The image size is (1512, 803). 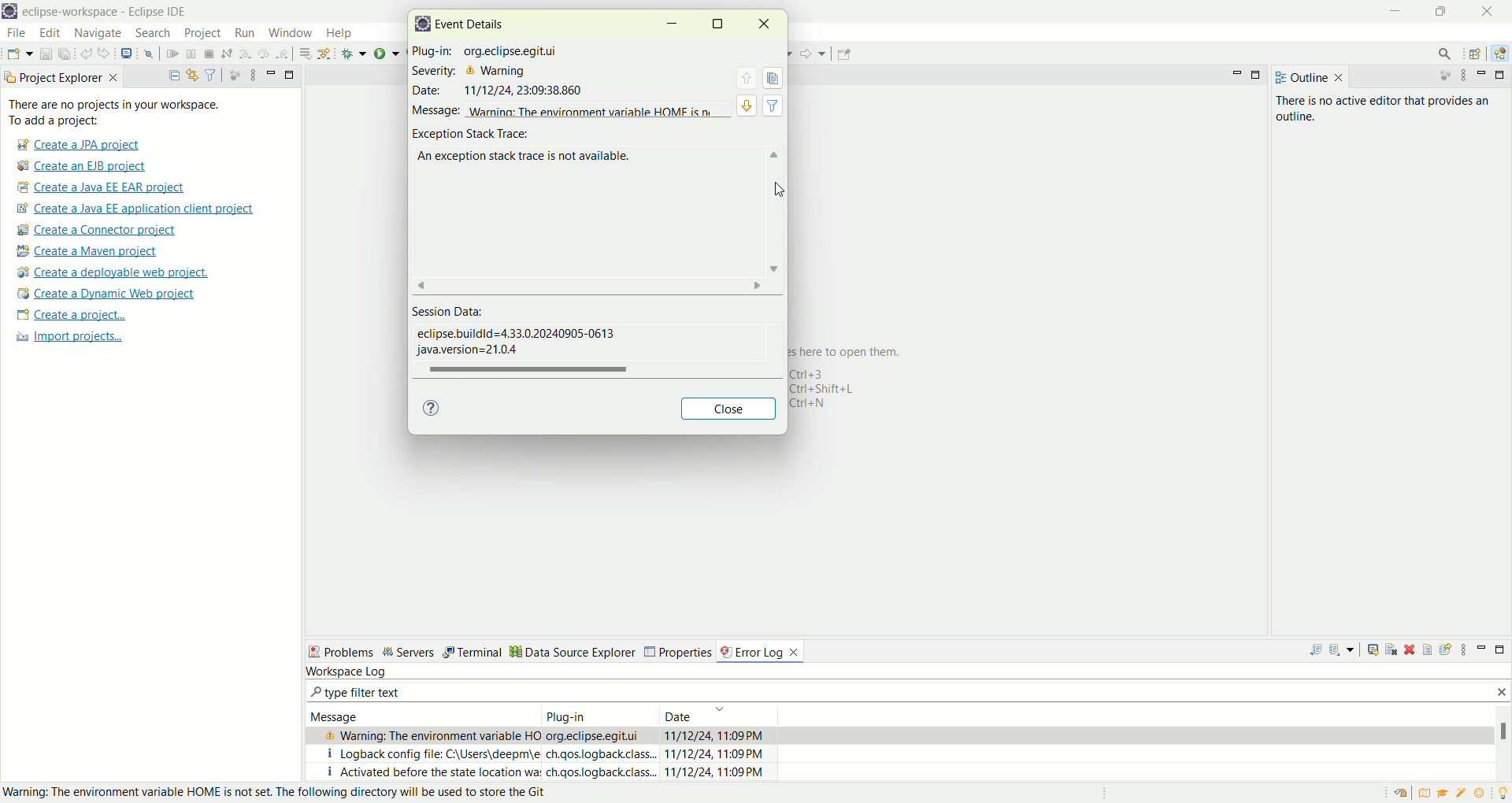 What do you see at coordinates (1500, 651) in the screenshot?
I see `maximize` at bounding box center [1500, 651].